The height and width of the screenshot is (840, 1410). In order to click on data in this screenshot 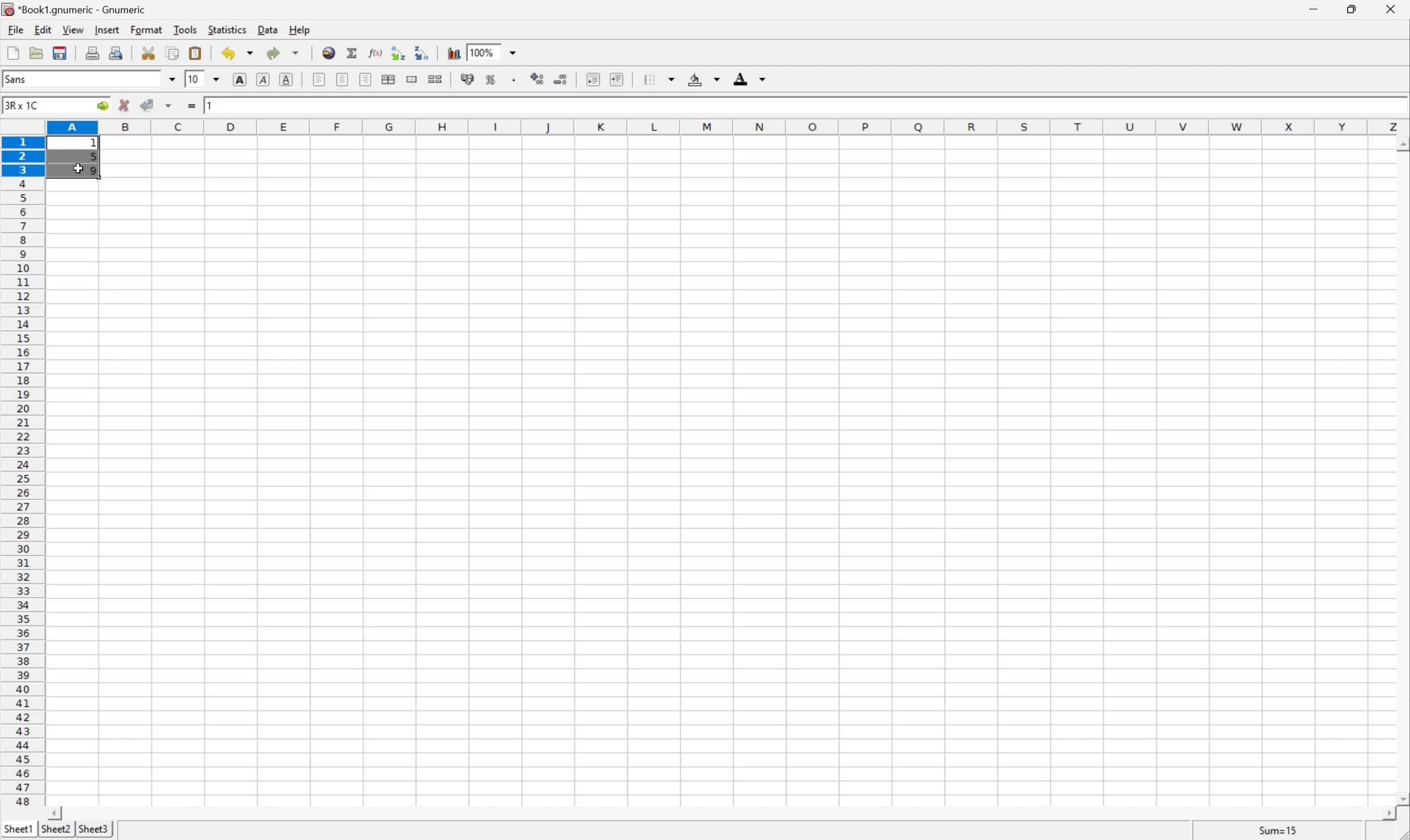, I will do `click(269, 27)`.